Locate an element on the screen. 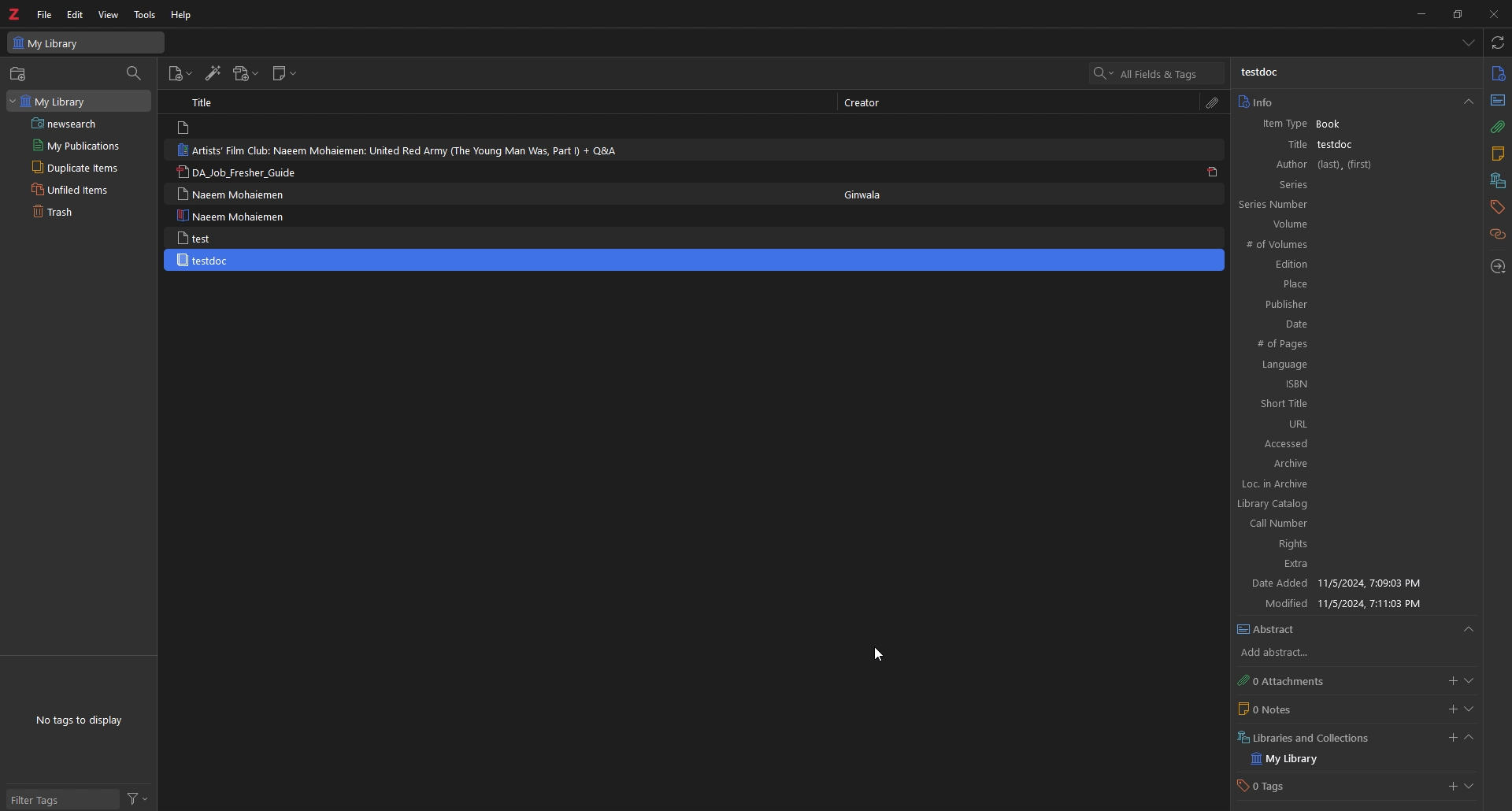 The image size is (1512, 811). URL is located at coordinates (1352, 424).